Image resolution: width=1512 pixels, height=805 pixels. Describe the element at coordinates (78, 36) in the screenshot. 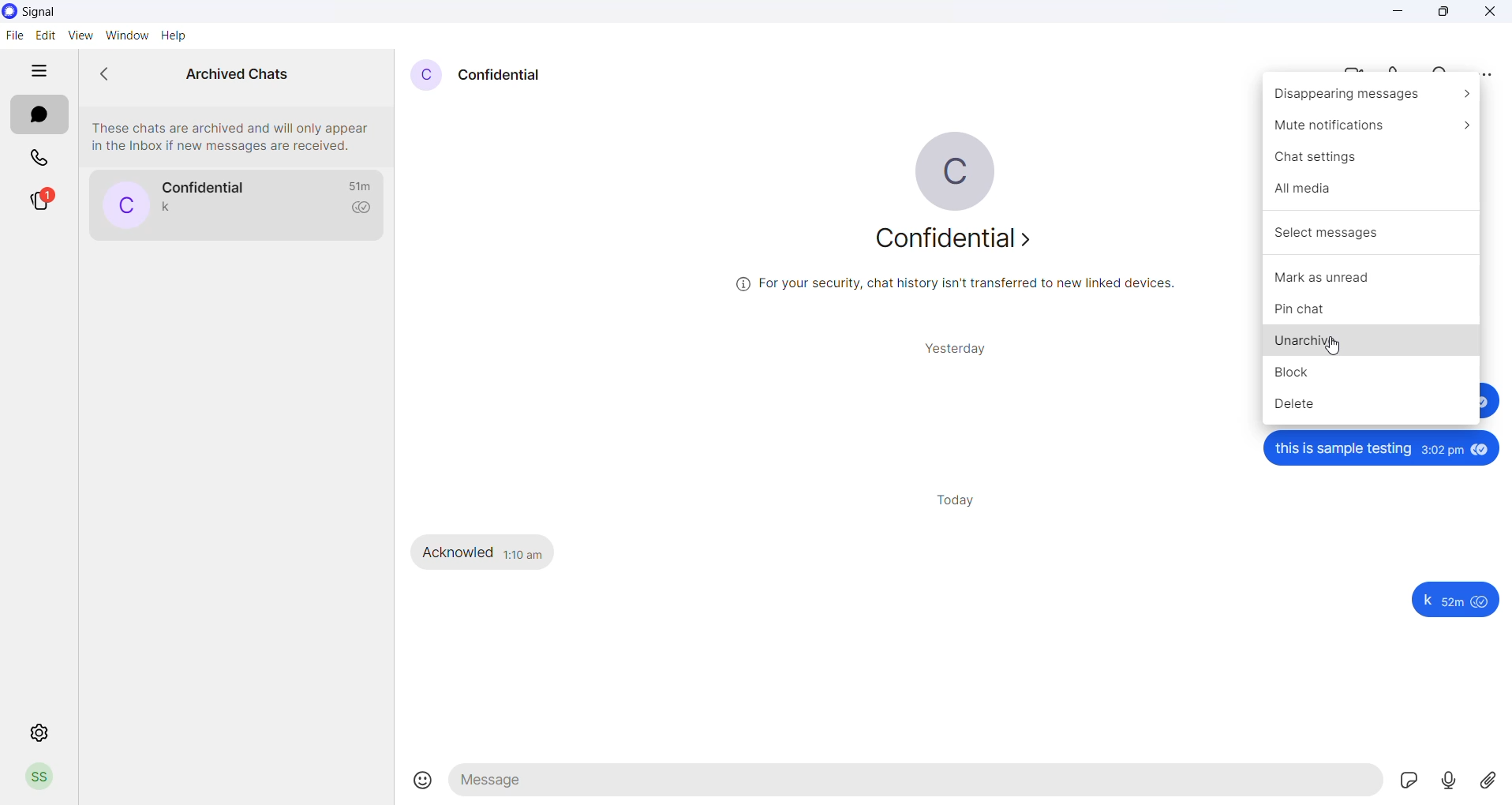

I see `view` at that location.